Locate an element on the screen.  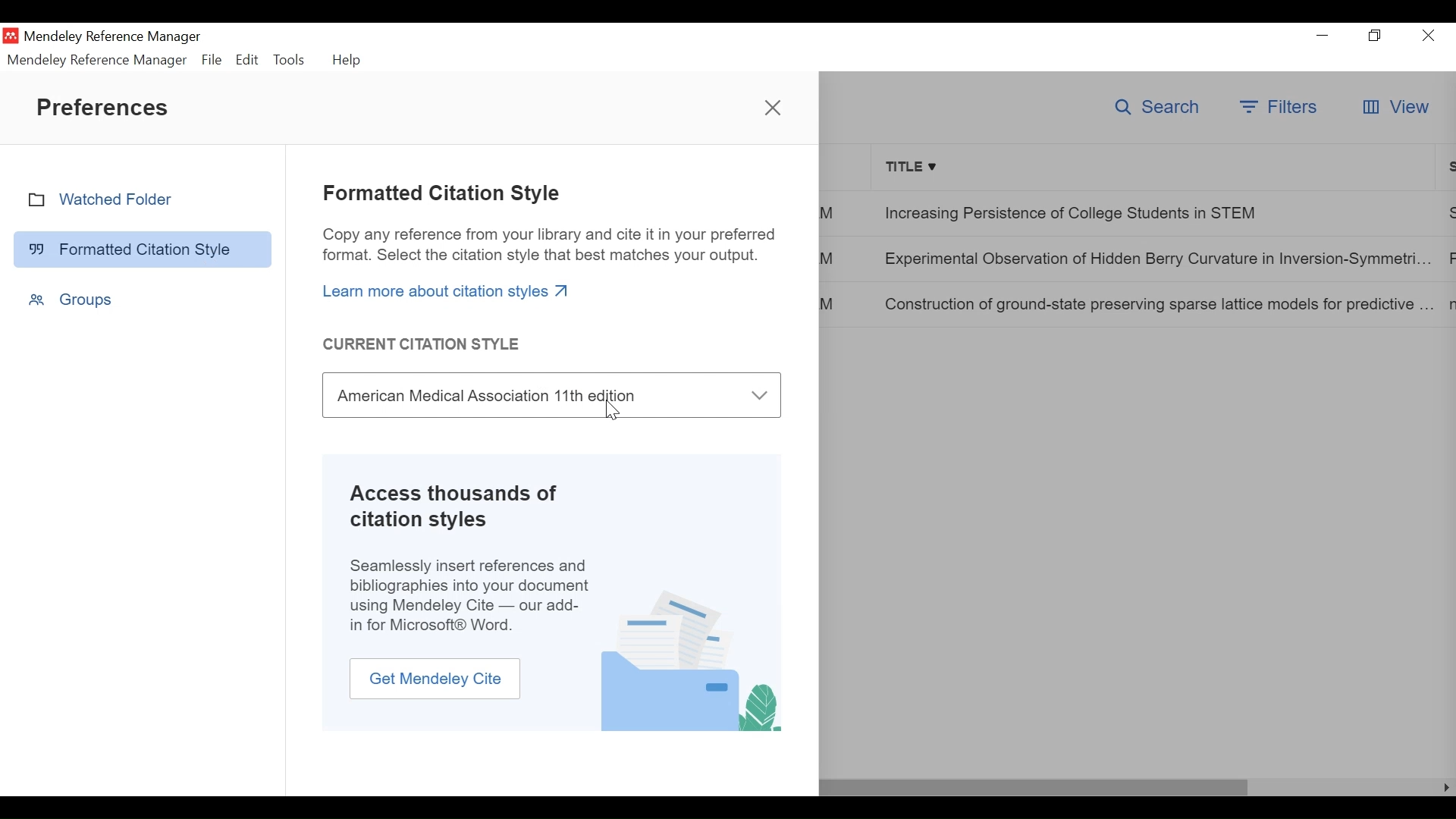
Title is located at coordinates (1154, 166).